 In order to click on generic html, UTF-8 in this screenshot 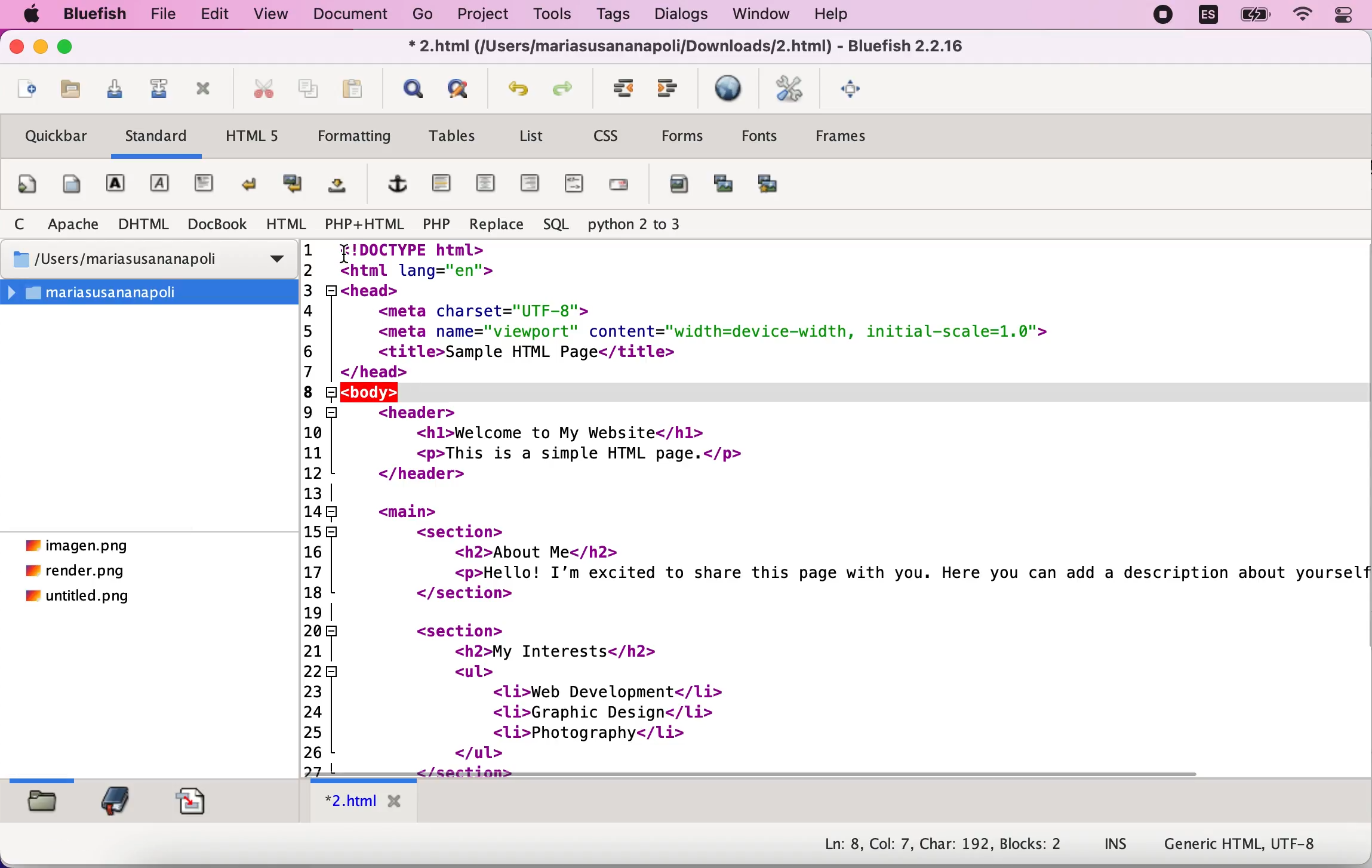, I will do `click(1242, 846)`.